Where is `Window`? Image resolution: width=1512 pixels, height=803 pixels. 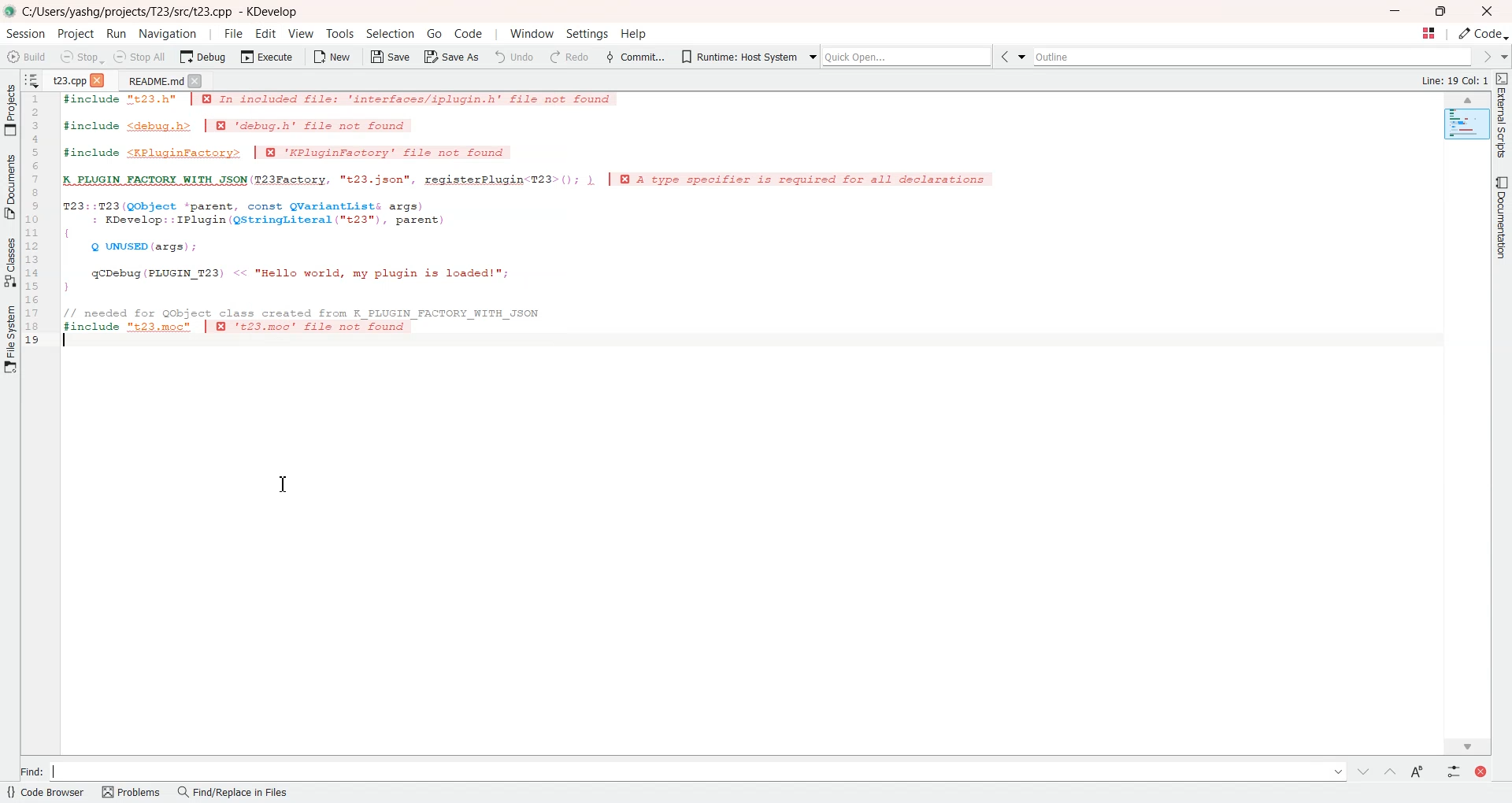
Window is located at coordinates (532, 34).